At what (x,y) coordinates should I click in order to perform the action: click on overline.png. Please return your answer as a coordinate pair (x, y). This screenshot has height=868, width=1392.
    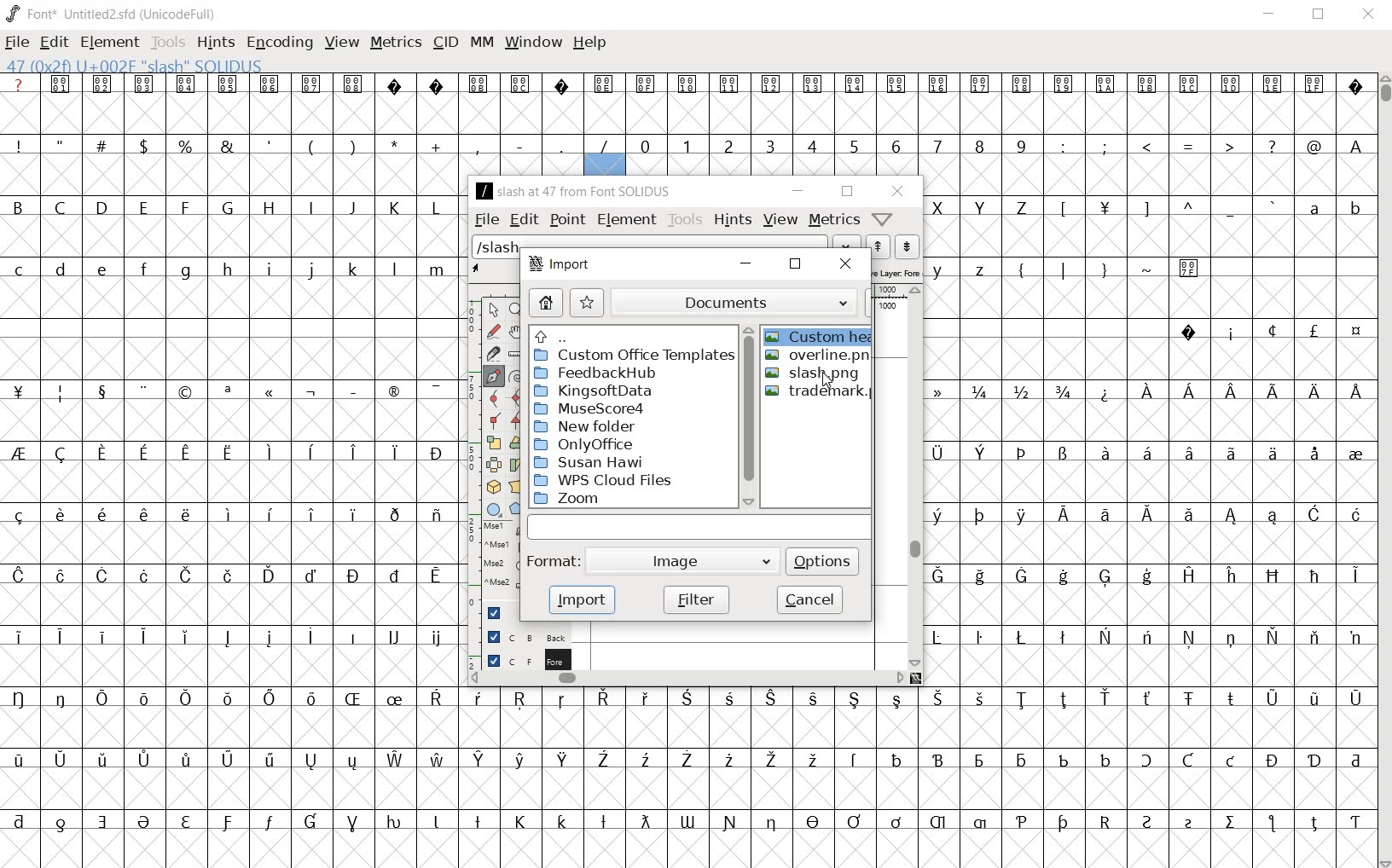
    Looking at the image, I should click on (815, 355).